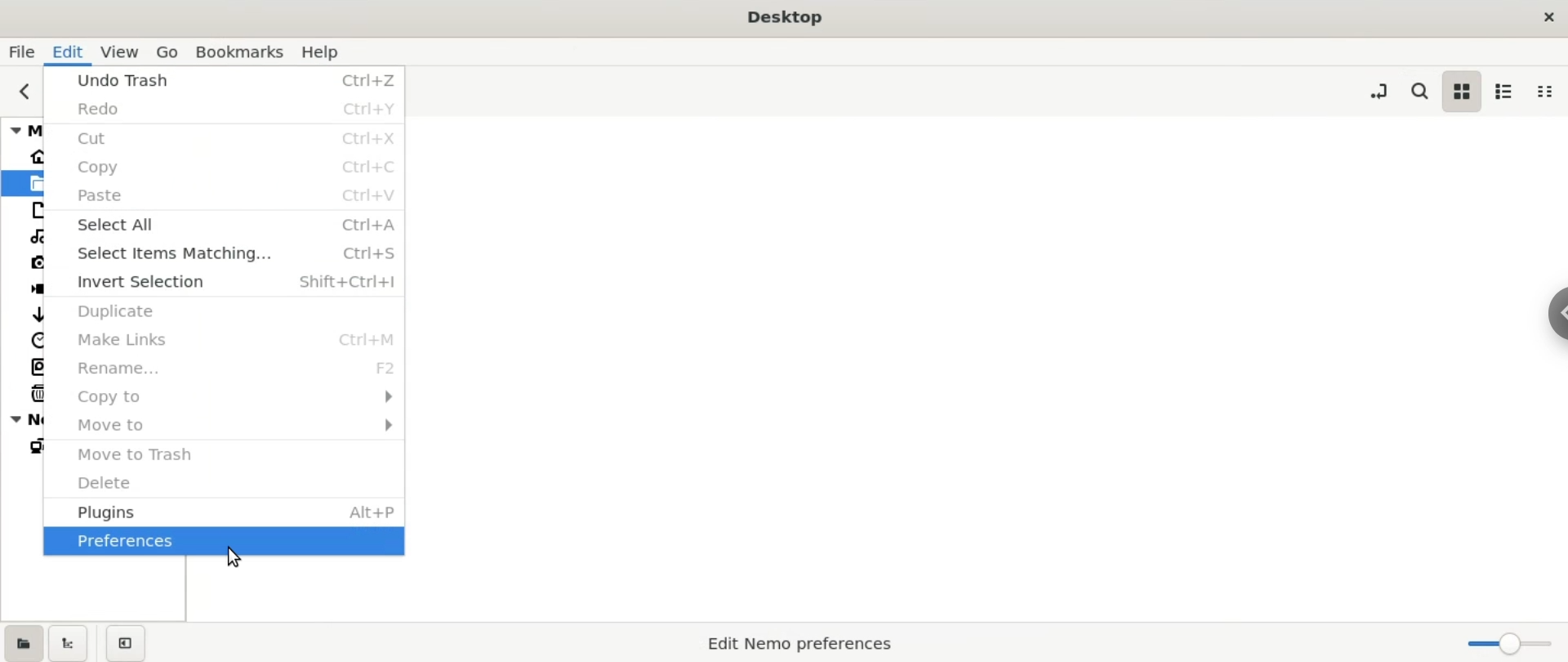  Describe the element at coordinates (1466, 92) in the screenshot. I see `icon view` at that location.